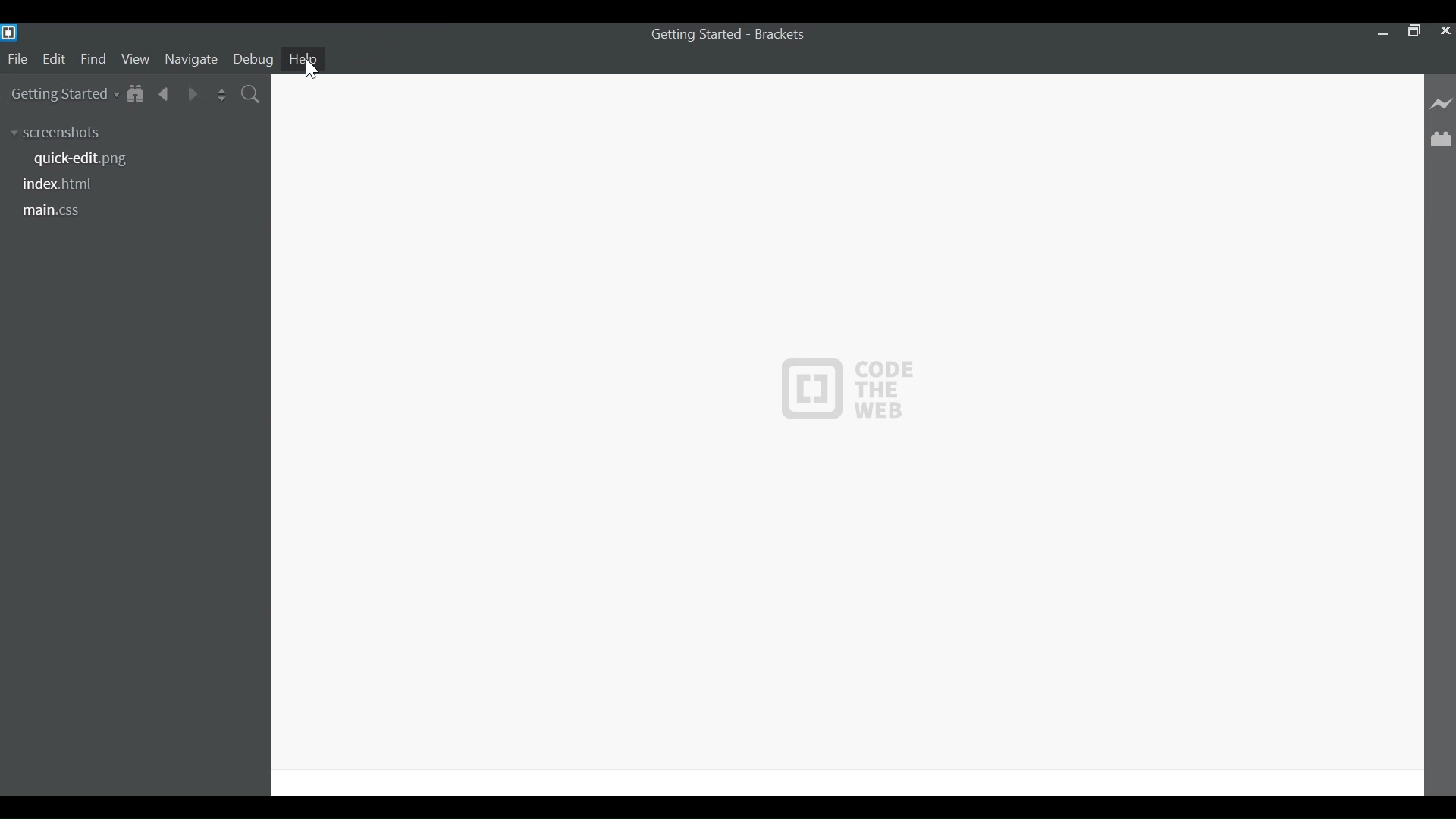 Image resolution: width=1456 pixels, height=819 pixels. I want to click on Close, so click(1444, 31).